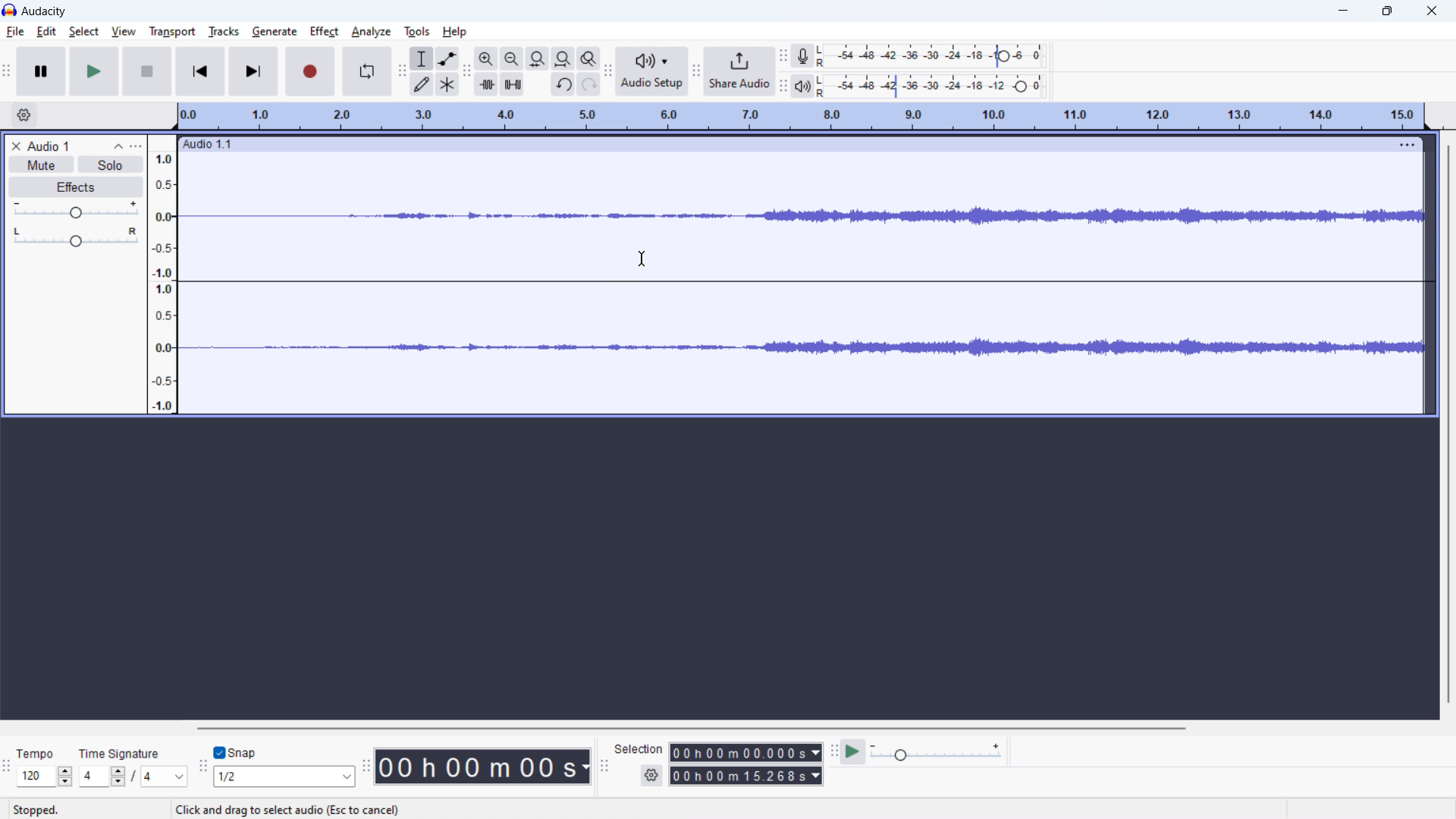 This screenshot has height=819, width=1456. I want to click on playback meter, so click(807, 85).